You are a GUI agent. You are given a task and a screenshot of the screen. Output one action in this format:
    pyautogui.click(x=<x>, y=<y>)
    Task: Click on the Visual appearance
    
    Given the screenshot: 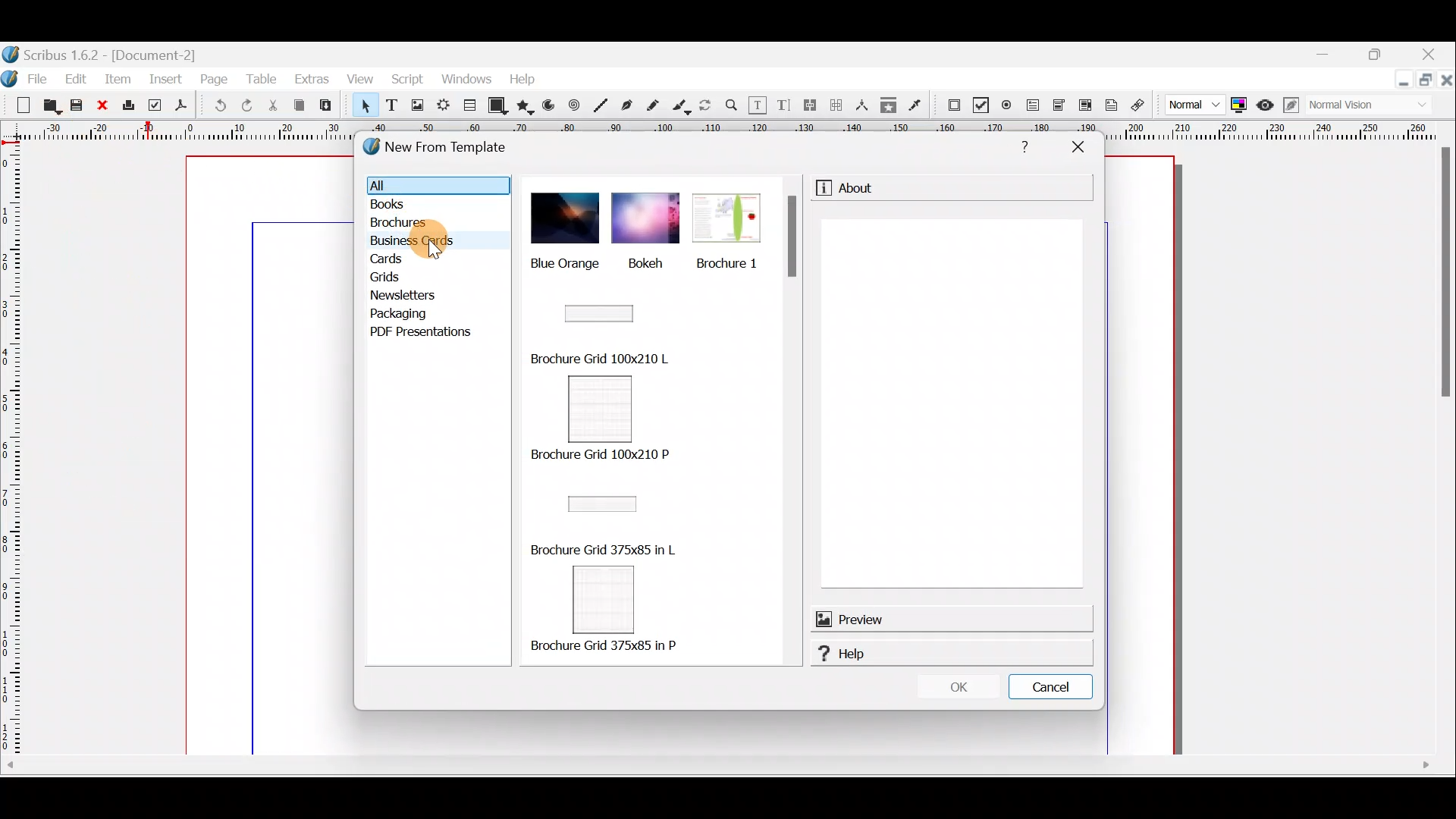 What is the action you would take?
    pyautogui.click(x=1343, y=106)
    